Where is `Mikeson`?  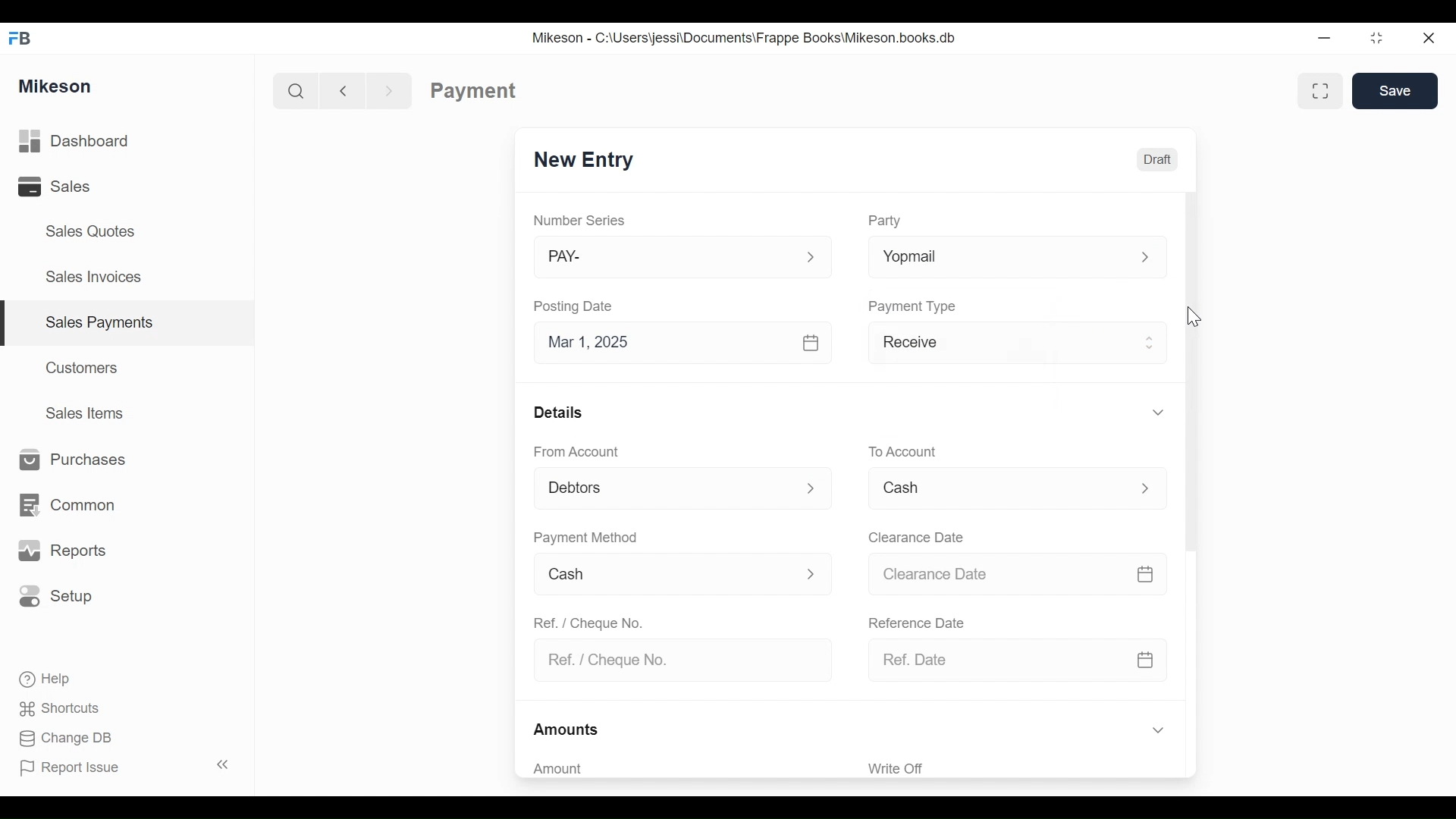
Mikeson is located at coordinates (56, 84).